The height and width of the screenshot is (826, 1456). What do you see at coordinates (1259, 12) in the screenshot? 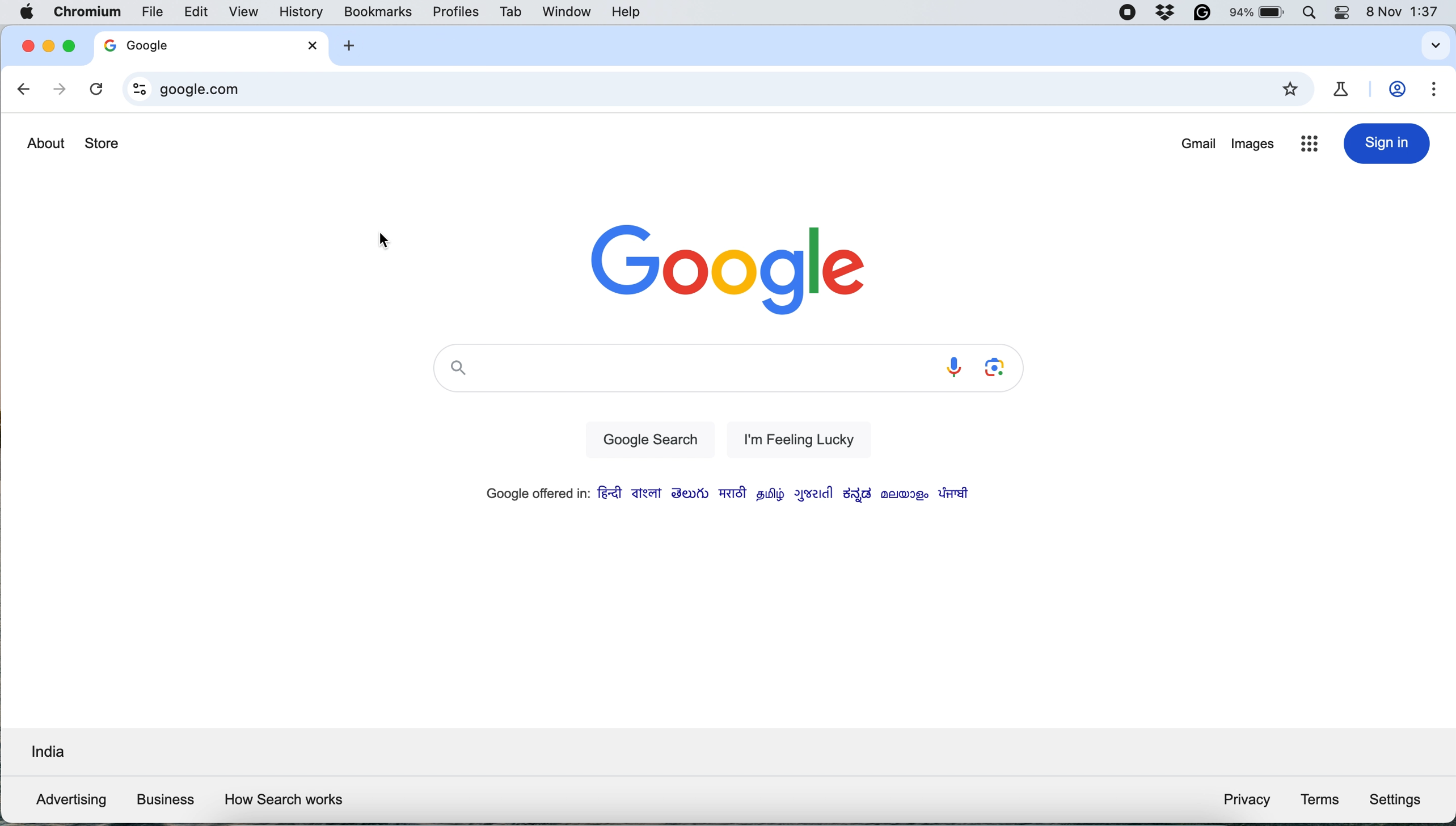
I see `battery` at bounding box center [1259, 12].